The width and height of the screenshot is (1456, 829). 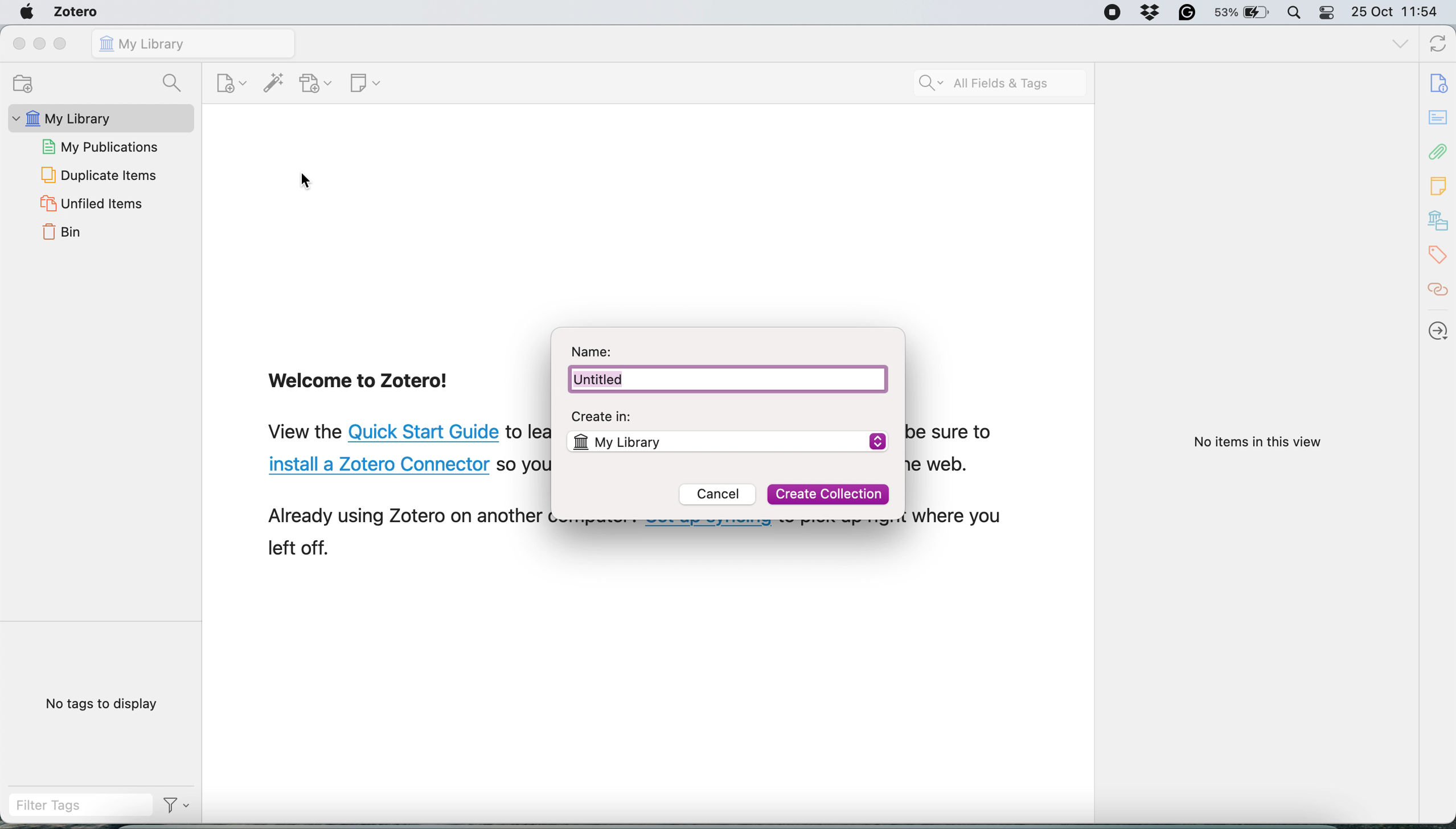 I want to click on tags, so click(x=1439, y=256).